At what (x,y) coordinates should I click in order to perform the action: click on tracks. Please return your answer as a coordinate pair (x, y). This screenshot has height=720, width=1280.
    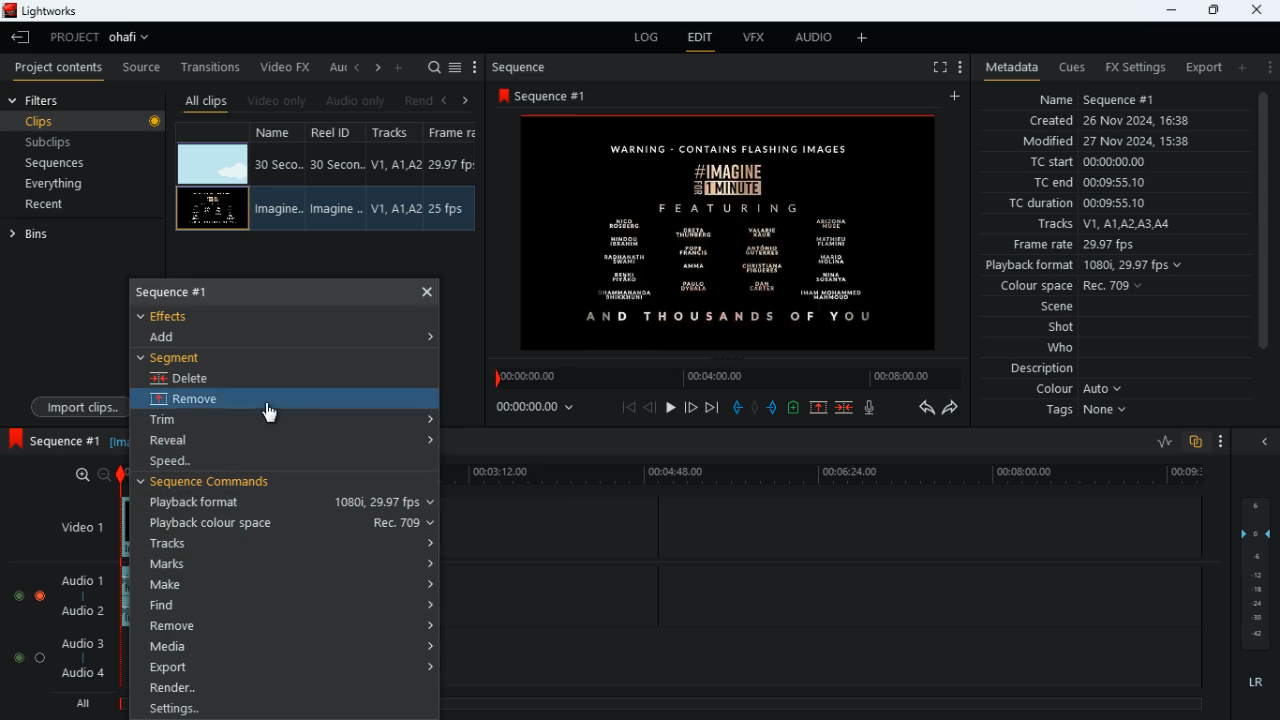
    Looking at the image, I should click on (396, 177).